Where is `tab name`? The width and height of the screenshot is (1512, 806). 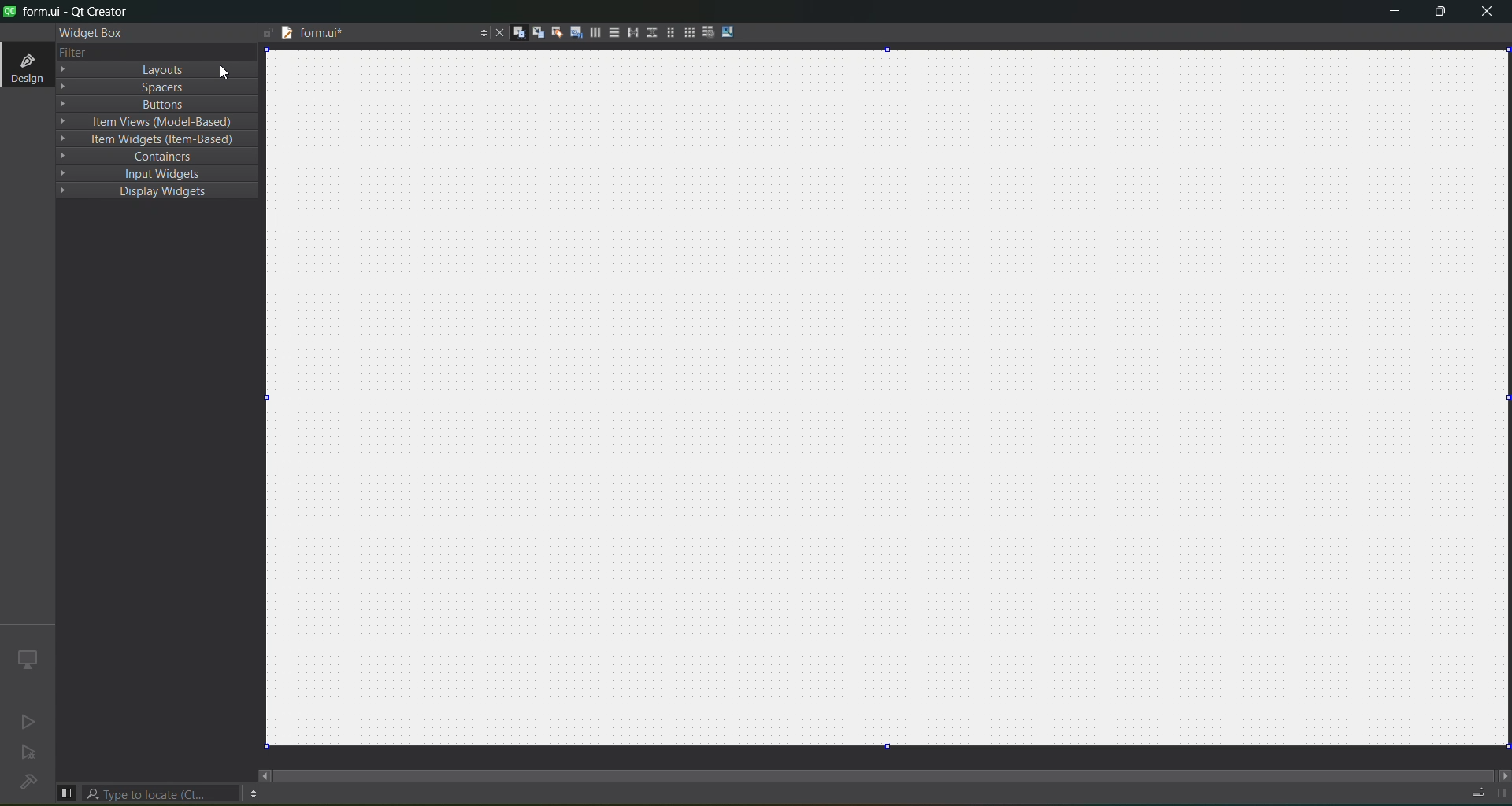
tab name is located at coordinates (360, 35).